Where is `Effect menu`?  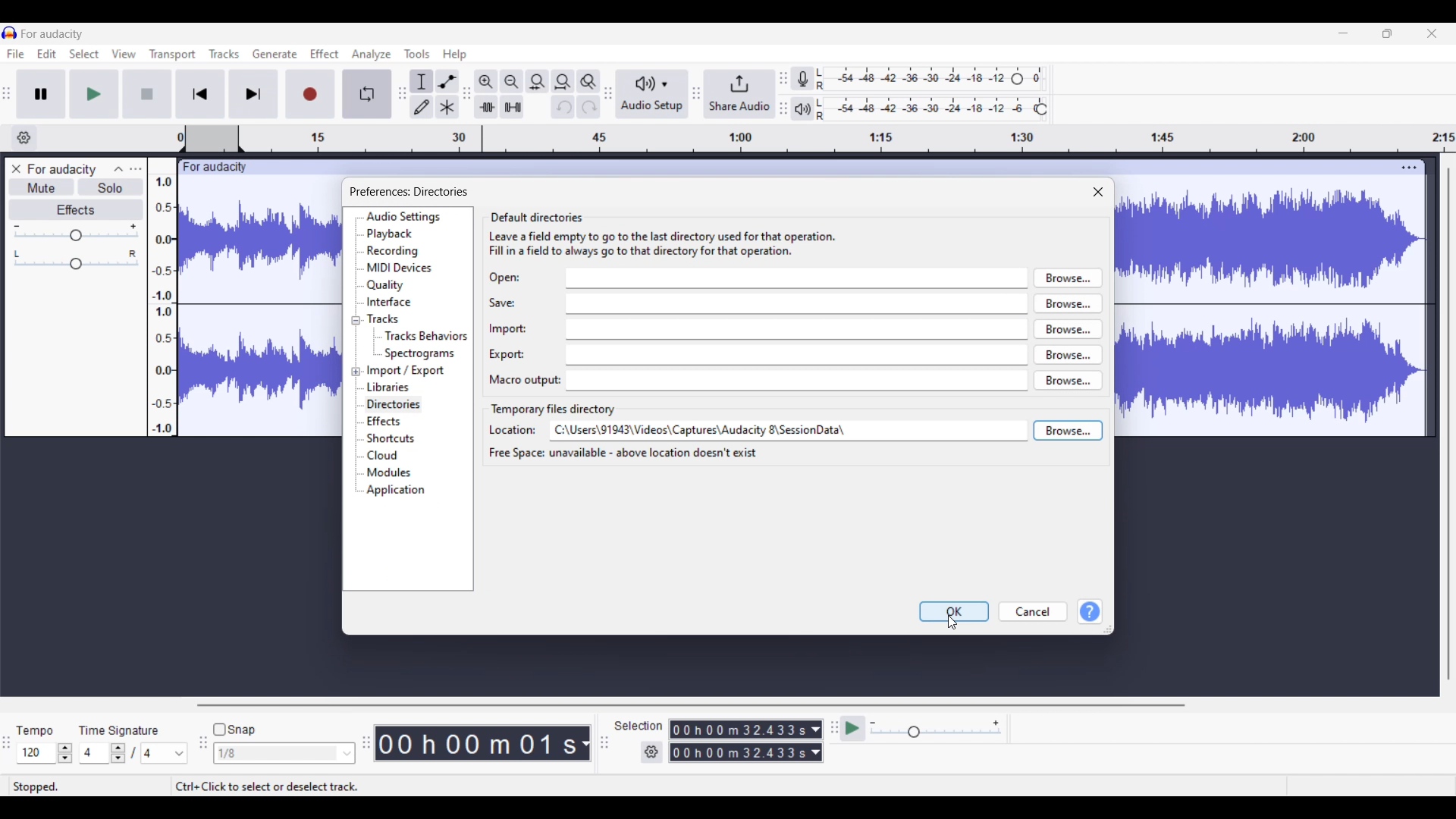
Effect menu is located at coordinates (325, 54).